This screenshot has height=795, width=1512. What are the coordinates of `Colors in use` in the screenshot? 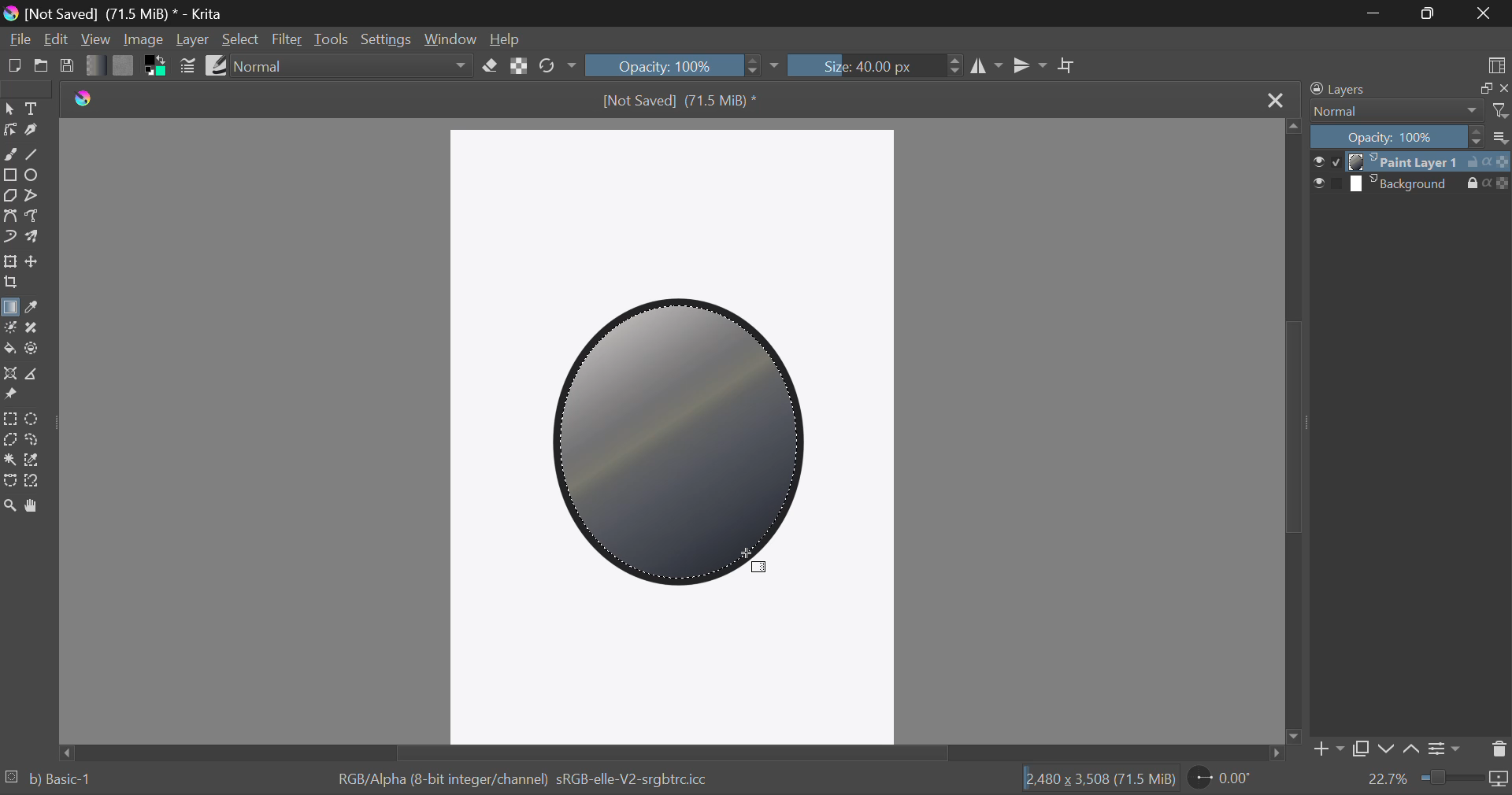 It's located at (156, 67).